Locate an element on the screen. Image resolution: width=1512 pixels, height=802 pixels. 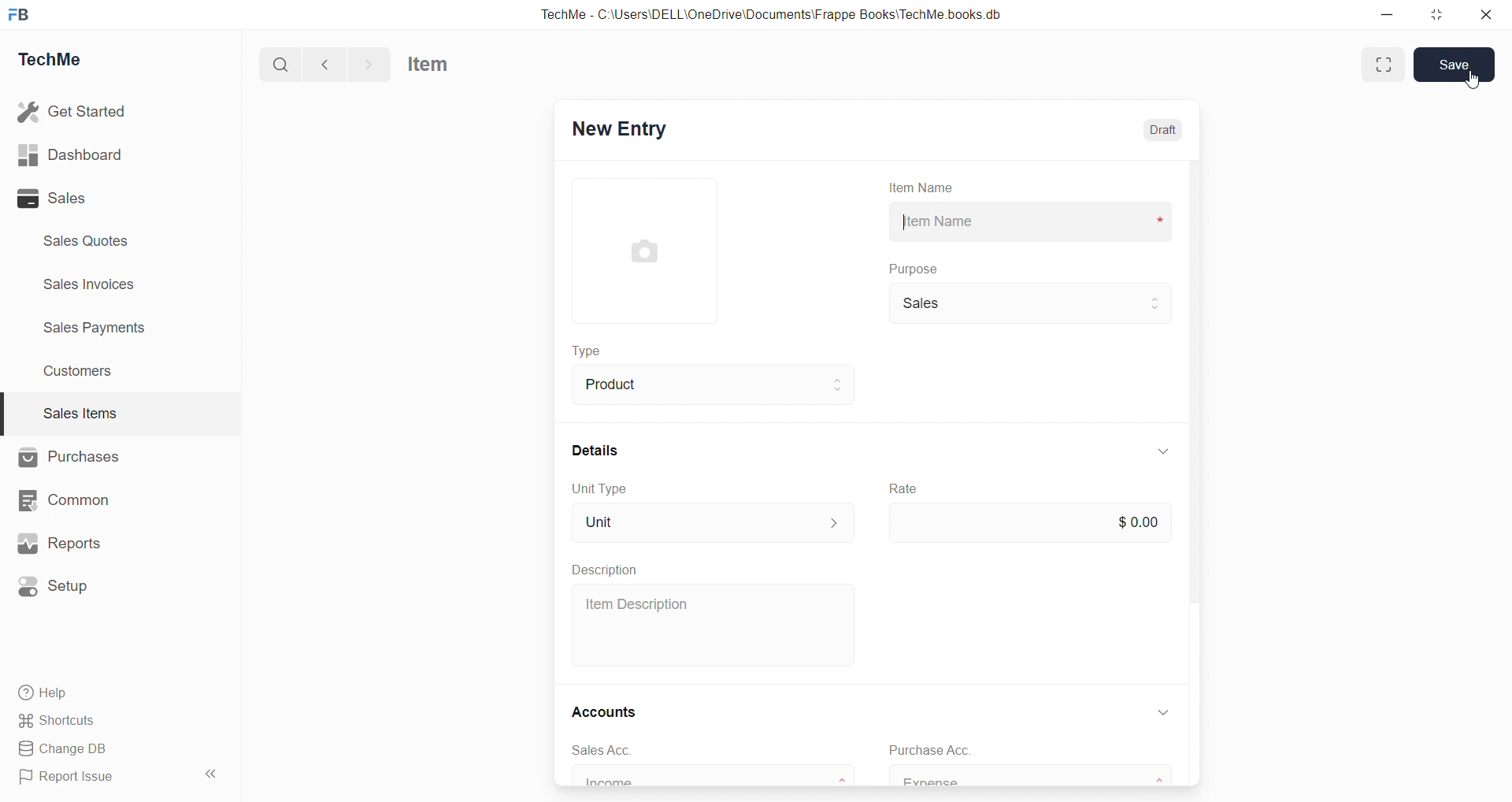
Shortcuts is located at coordinates (60, 721).